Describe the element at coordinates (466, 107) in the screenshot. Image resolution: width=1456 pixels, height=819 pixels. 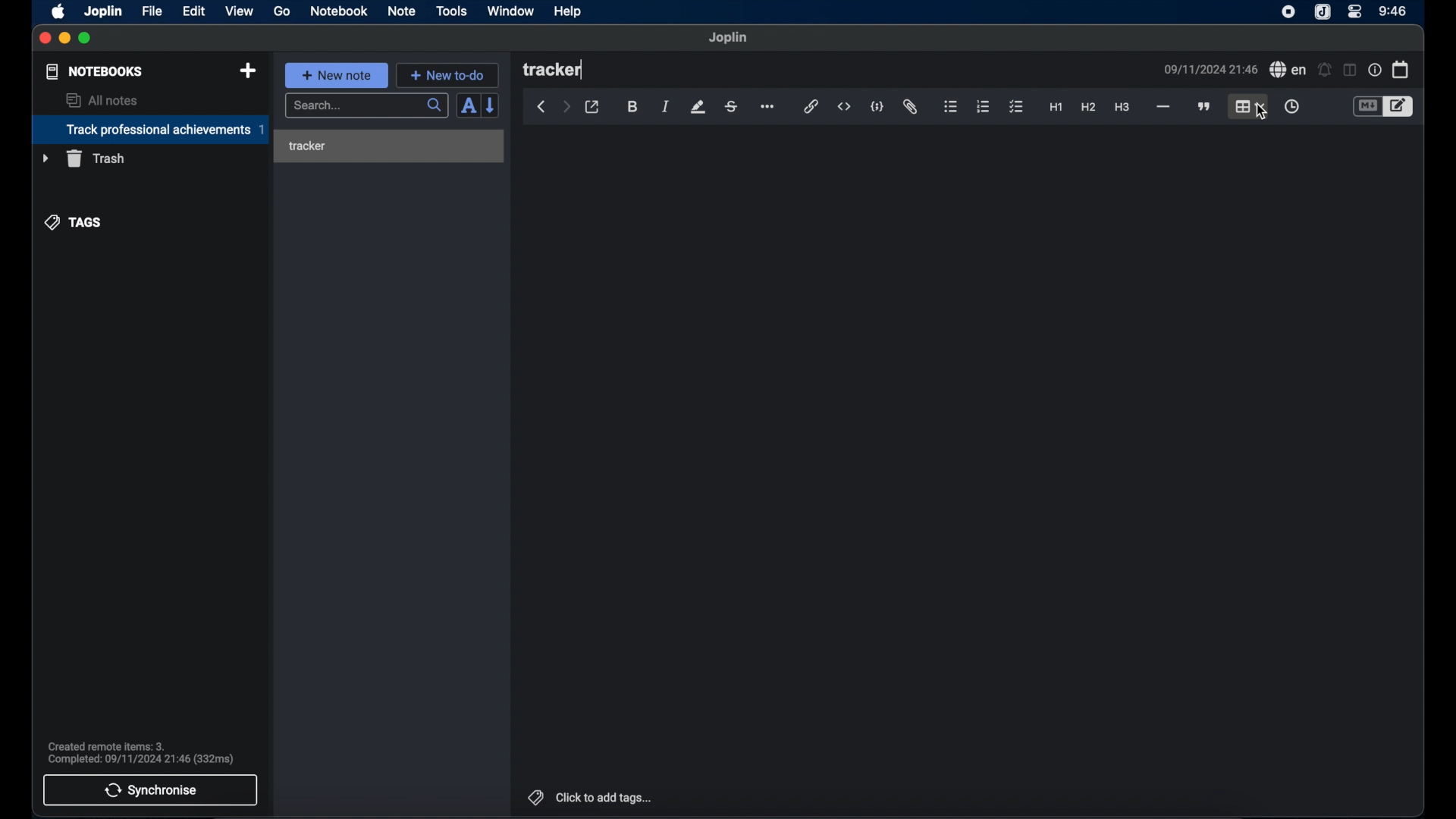
I see `toggle sort order field` at that location.